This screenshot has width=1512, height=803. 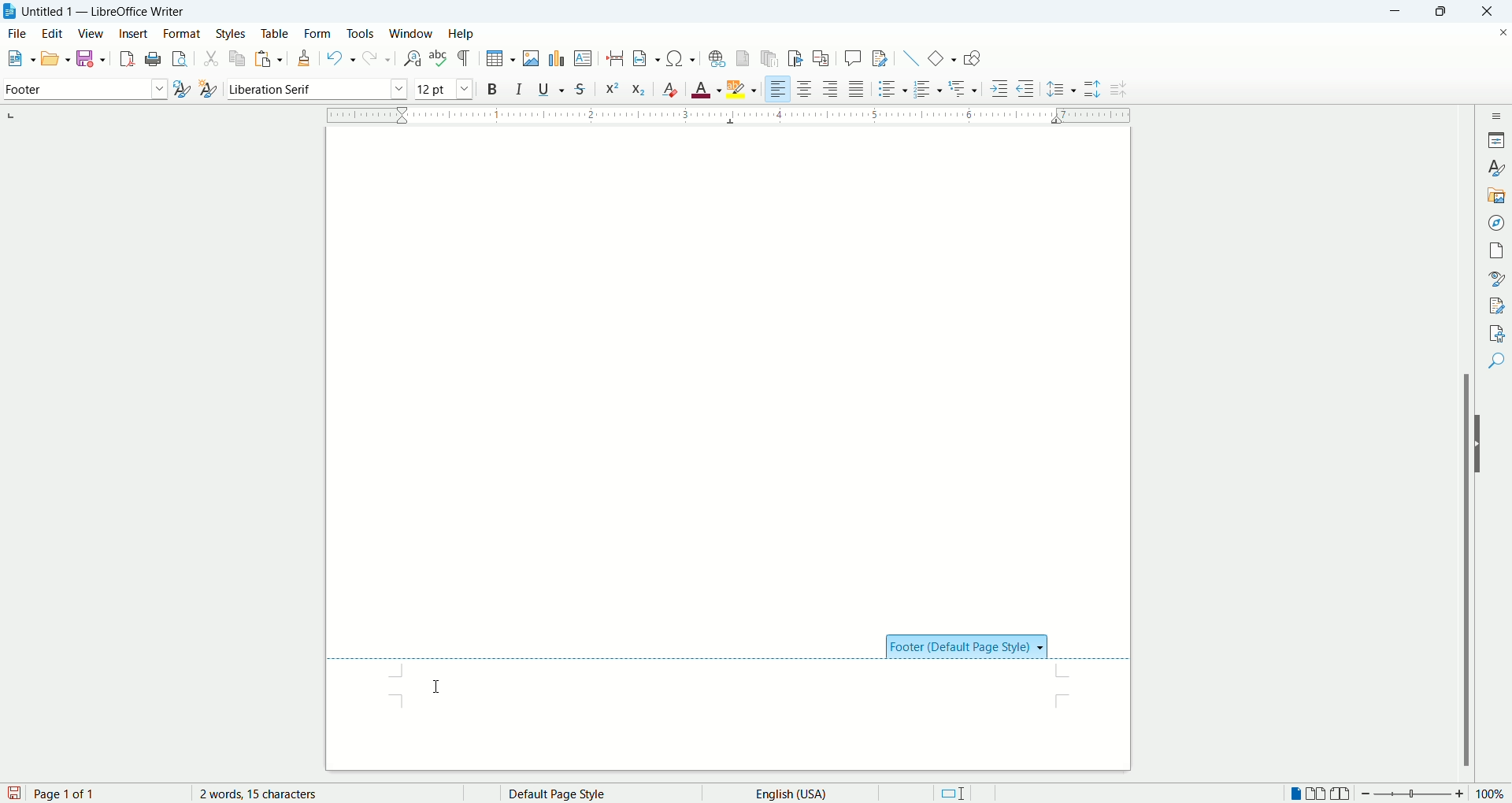 I want to click on clone formatting, so click(x=306, y=59).